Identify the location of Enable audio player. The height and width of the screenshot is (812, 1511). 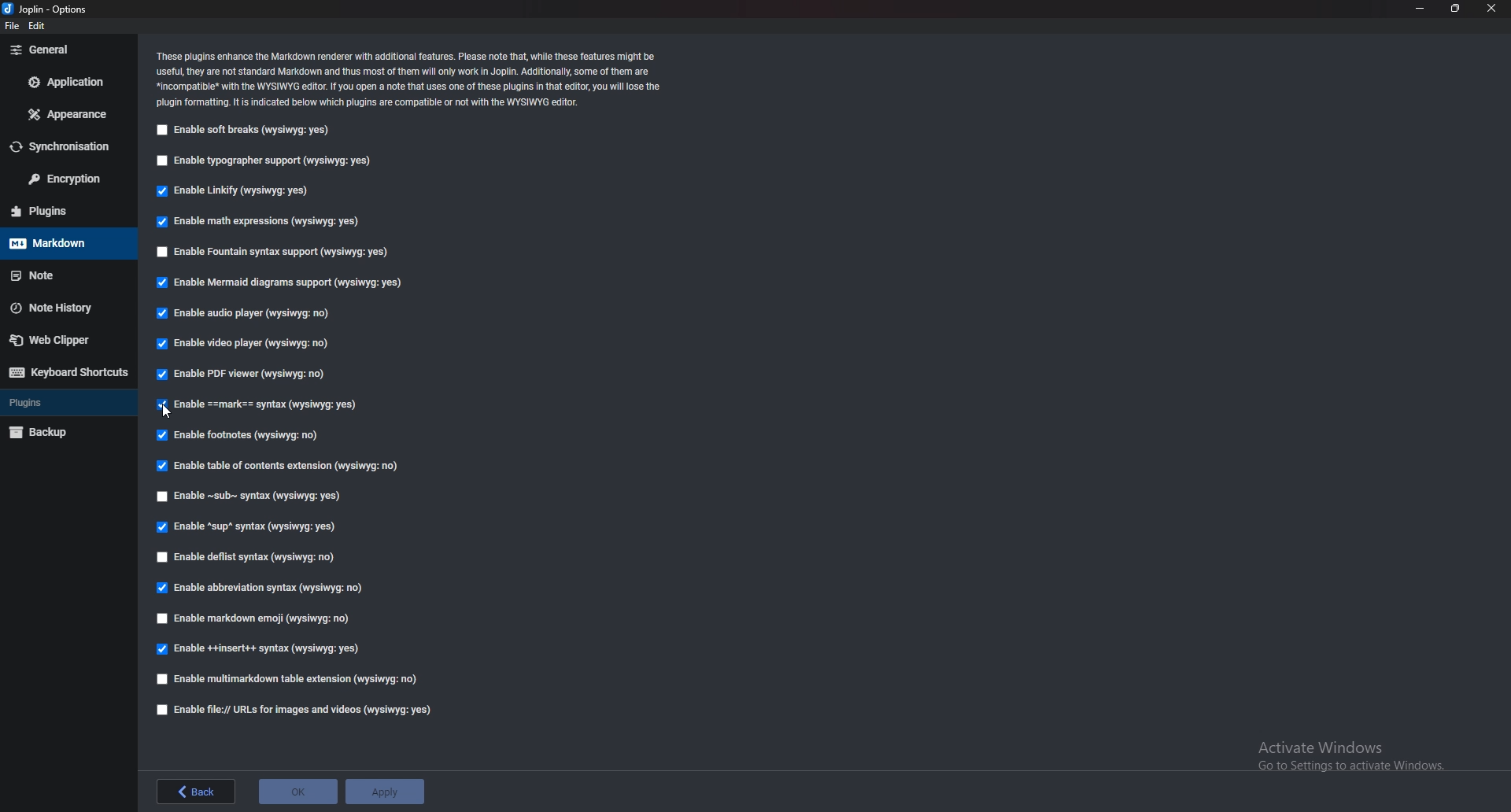
(246, 316).